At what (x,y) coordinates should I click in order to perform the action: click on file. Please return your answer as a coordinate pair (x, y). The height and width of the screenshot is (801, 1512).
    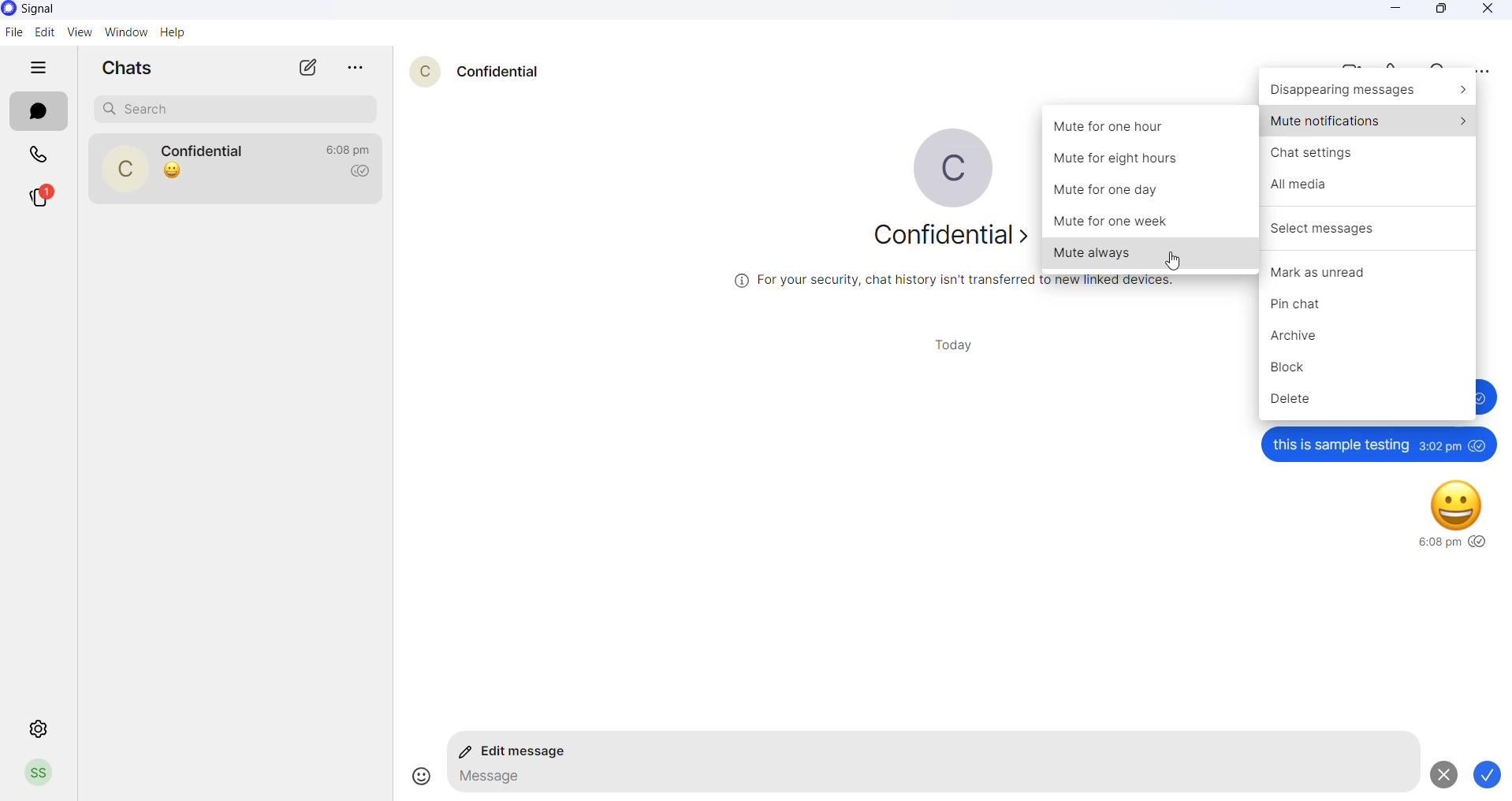
    Looking at the image, I should click on (14, 32).